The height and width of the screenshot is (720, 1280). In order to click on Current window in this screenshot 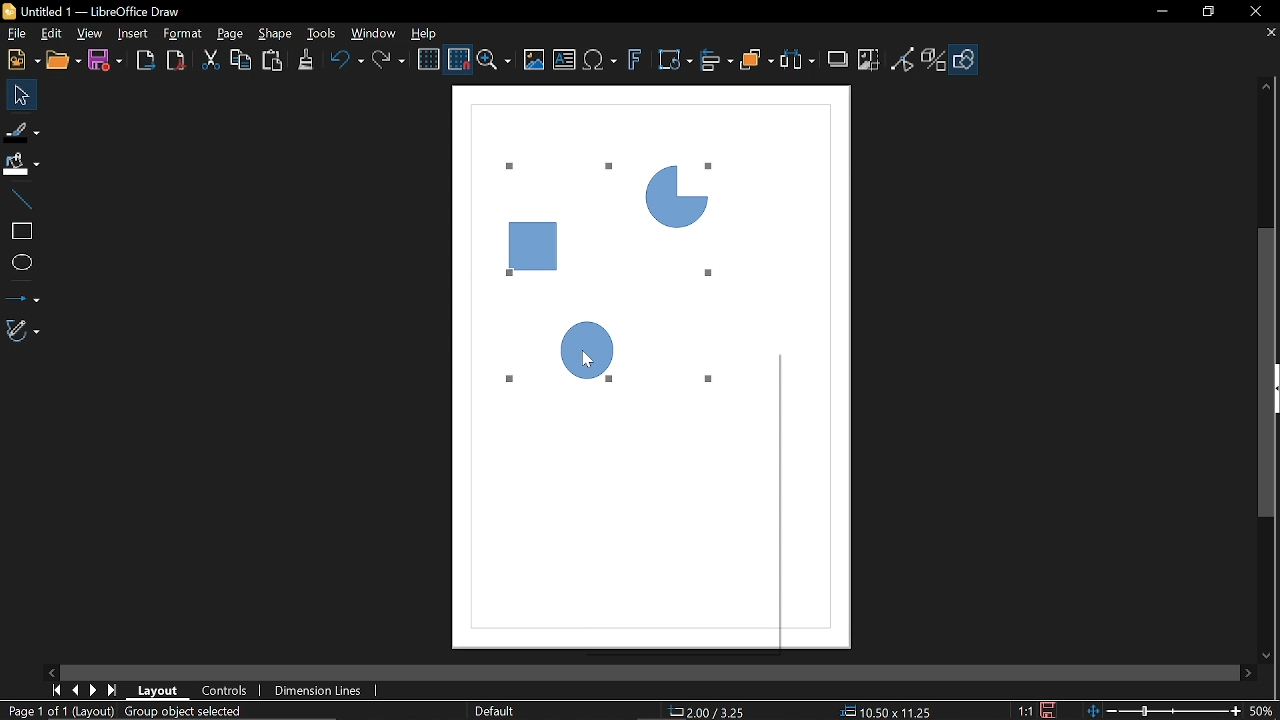, I will do `click(96, 11)`.